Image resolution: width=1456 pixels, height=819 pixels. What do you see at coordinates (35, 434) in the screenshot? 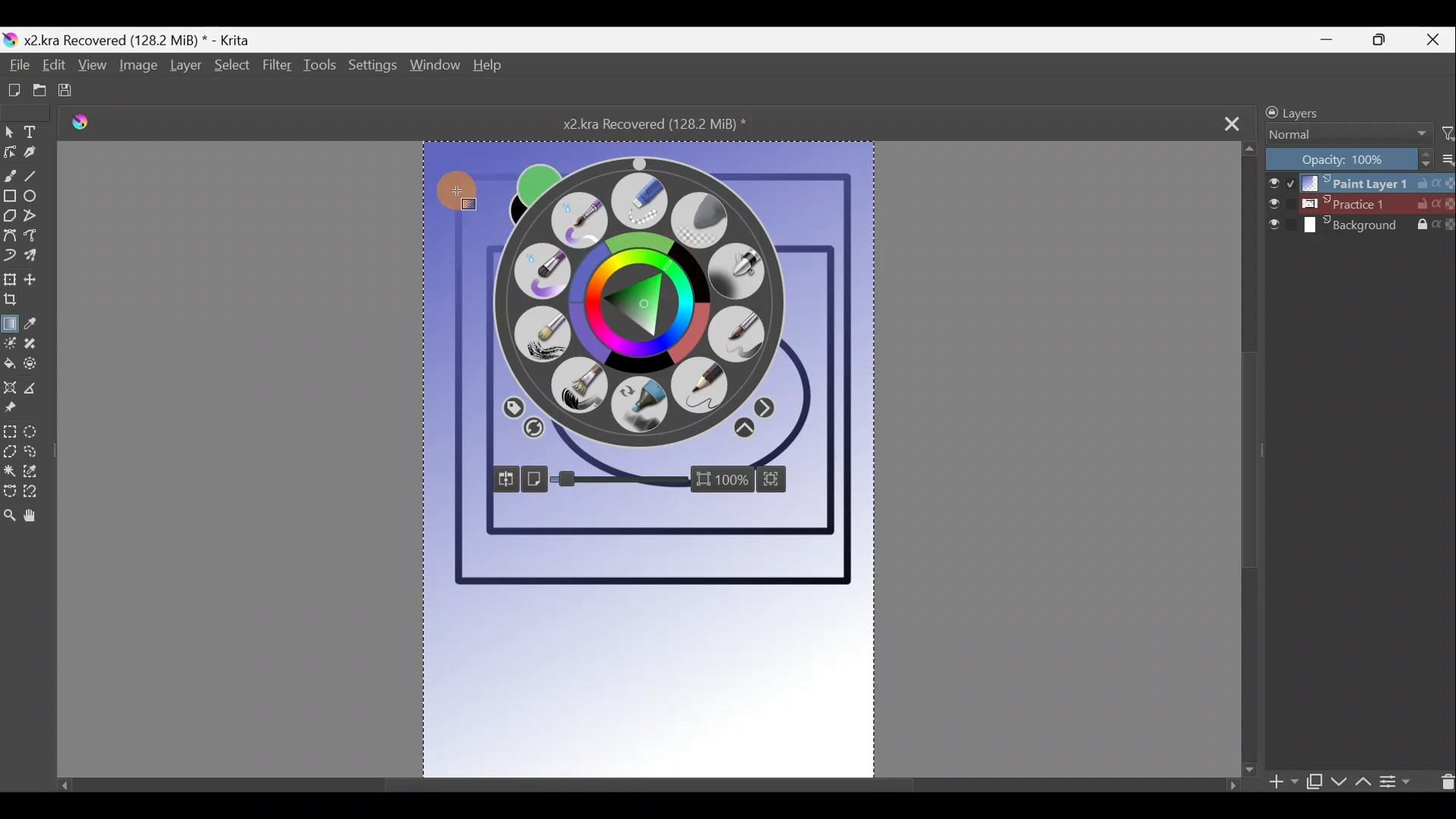
I see `Elliptical selection tool` at bounding box center [35, 434].